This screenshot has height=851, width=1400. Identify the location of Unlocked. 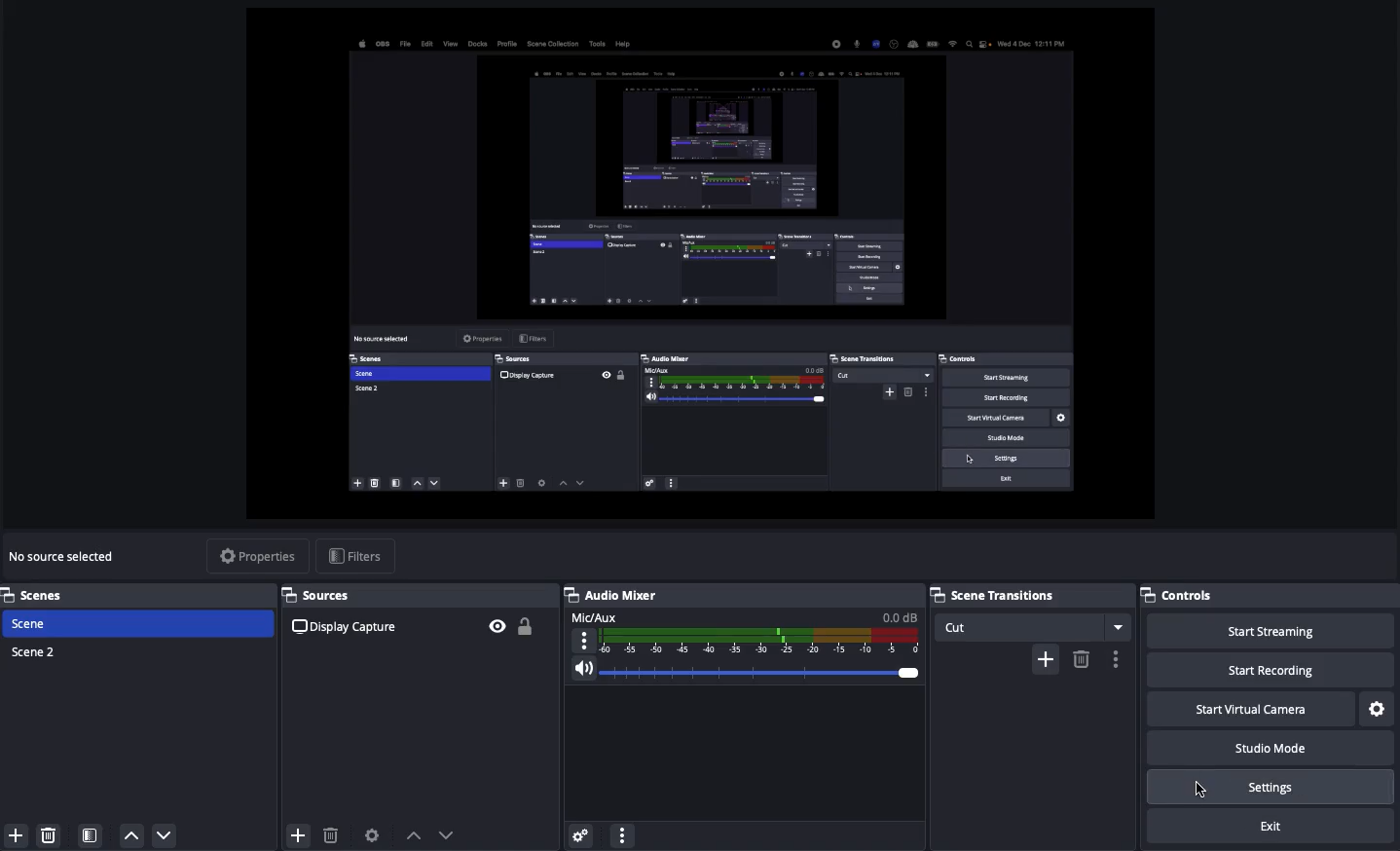
(527, 624).